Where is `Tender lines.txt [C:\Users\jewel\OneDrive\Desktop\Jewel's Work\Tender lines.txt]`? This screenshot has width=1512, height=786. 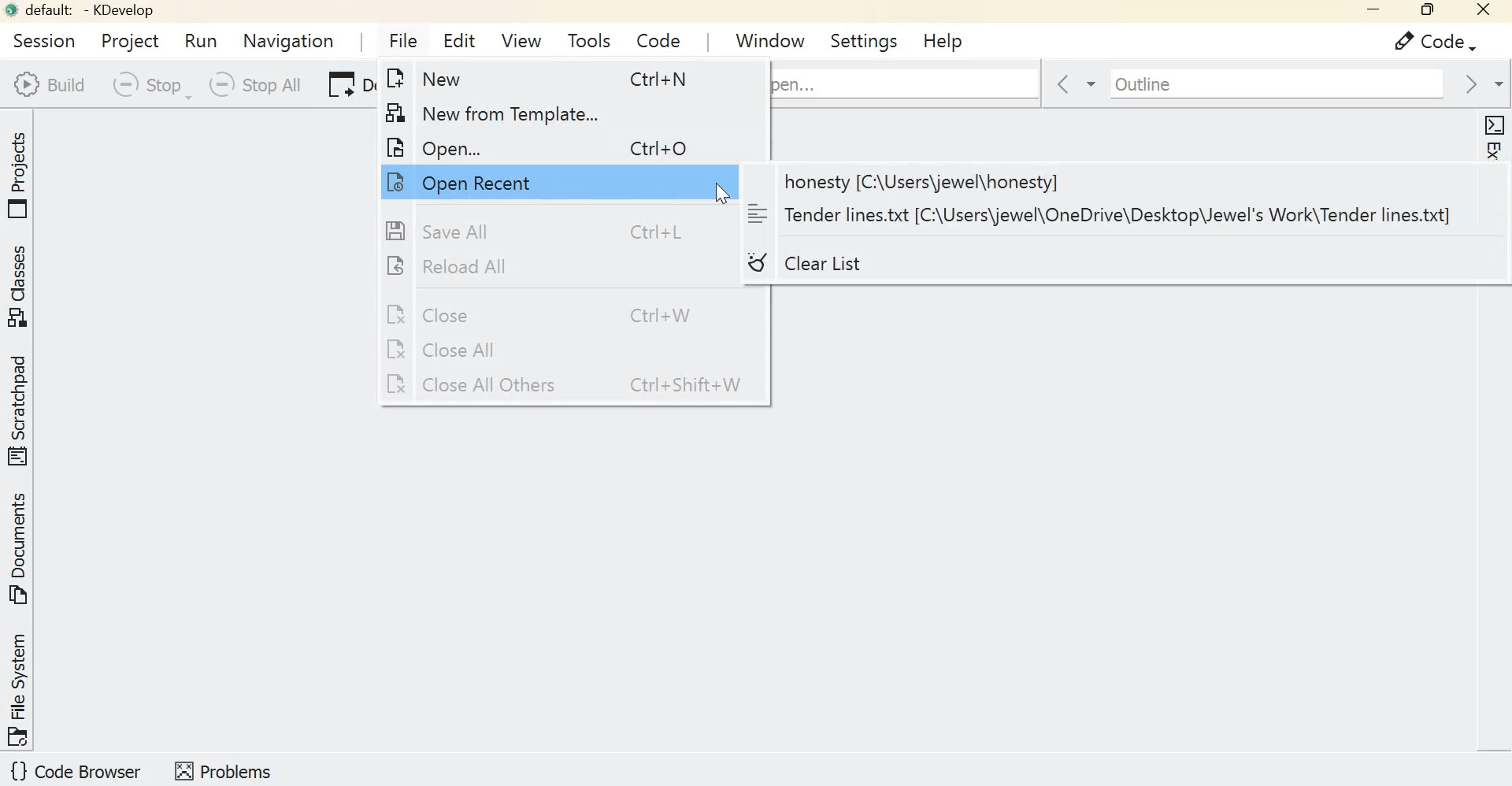
Tender lines.txt [C:\Users\jewel\OneDrive\Desktop\Jewel's Work\Tender lines.txt] is located at coordinates (1102, 215).